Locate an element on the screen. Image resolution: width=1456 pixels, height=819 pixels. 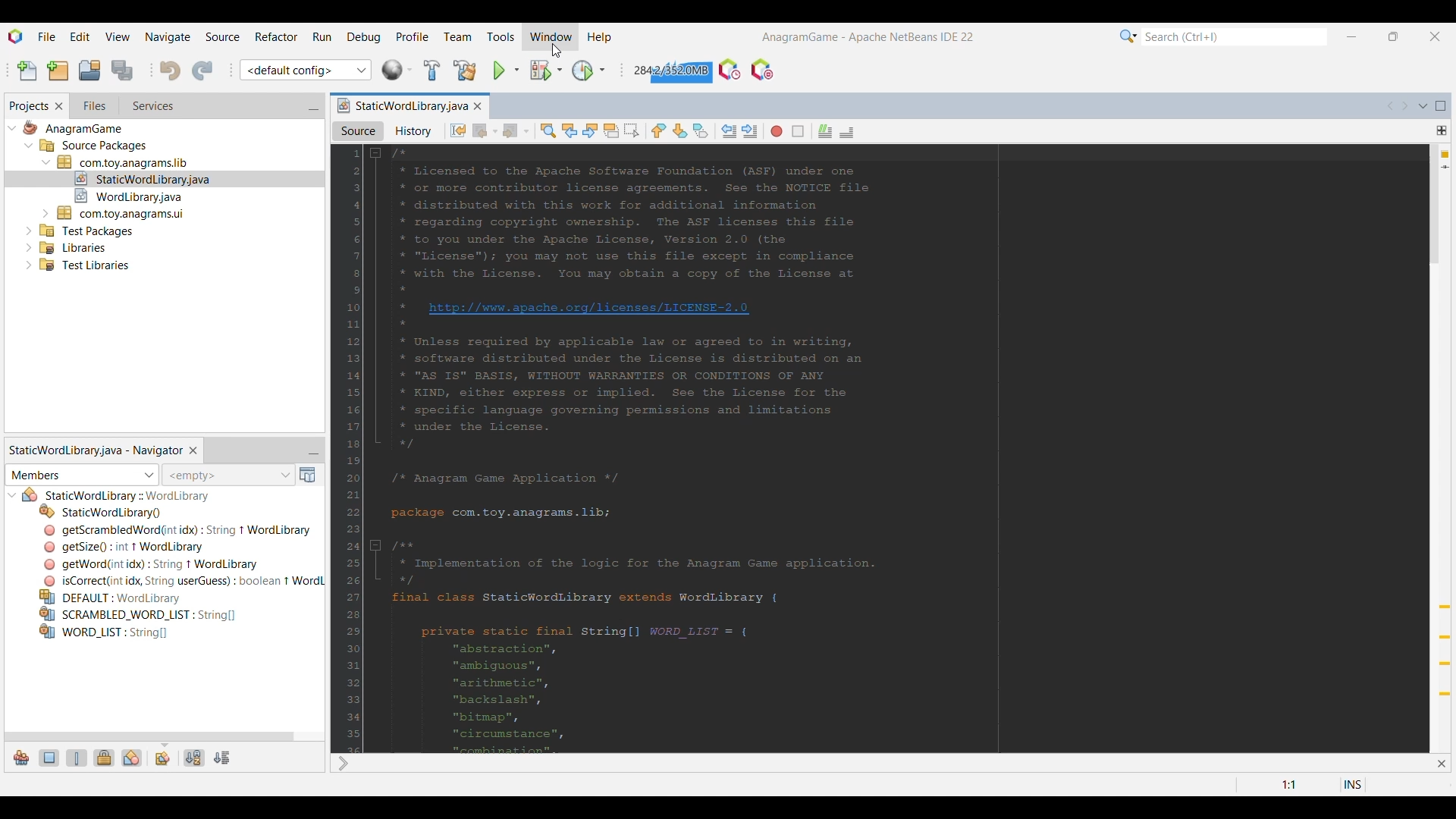
 is located at coordinates (144, 177).